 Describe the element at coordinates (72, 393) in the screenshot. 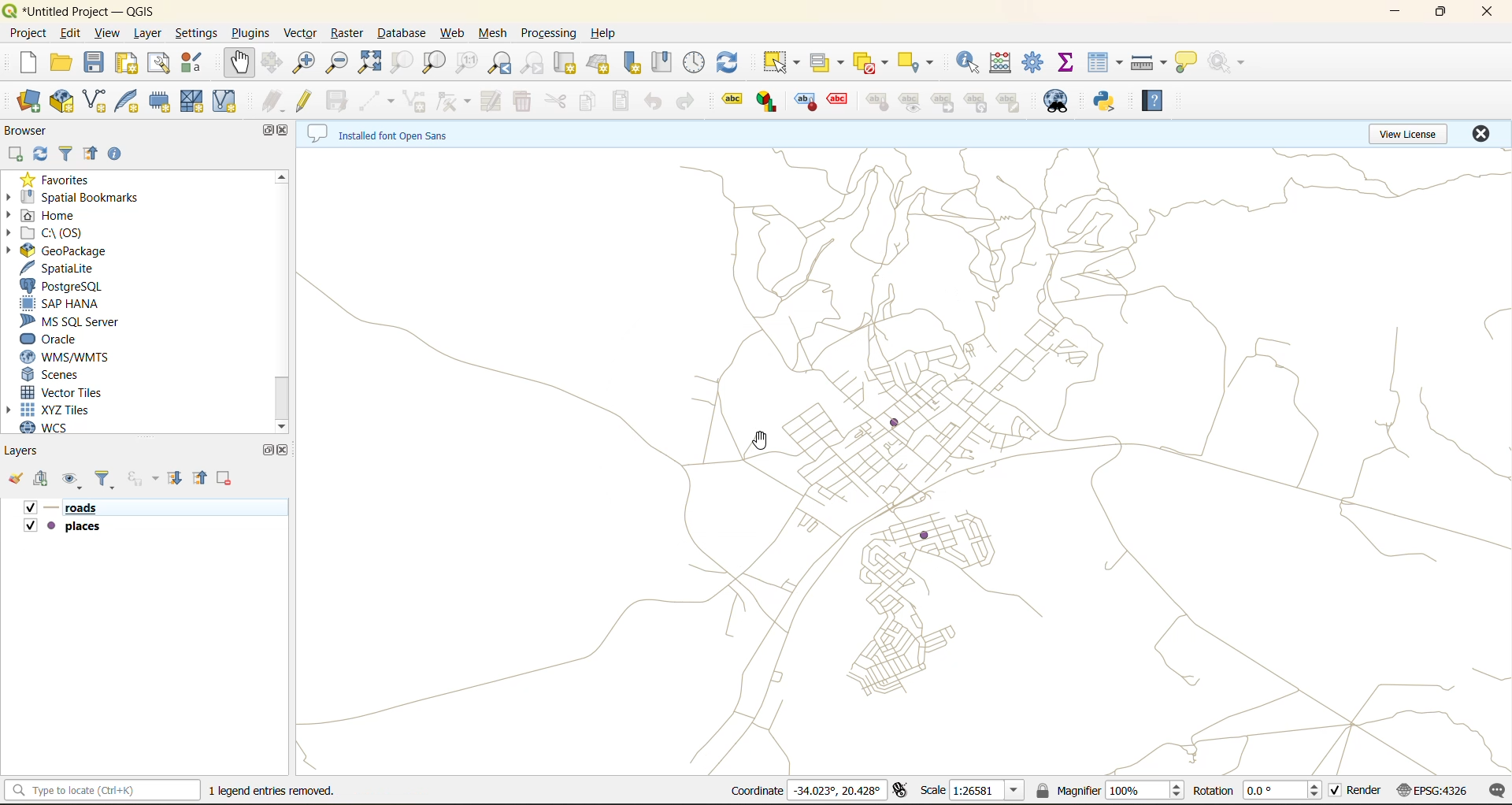

I see `vector tiles` at that location.